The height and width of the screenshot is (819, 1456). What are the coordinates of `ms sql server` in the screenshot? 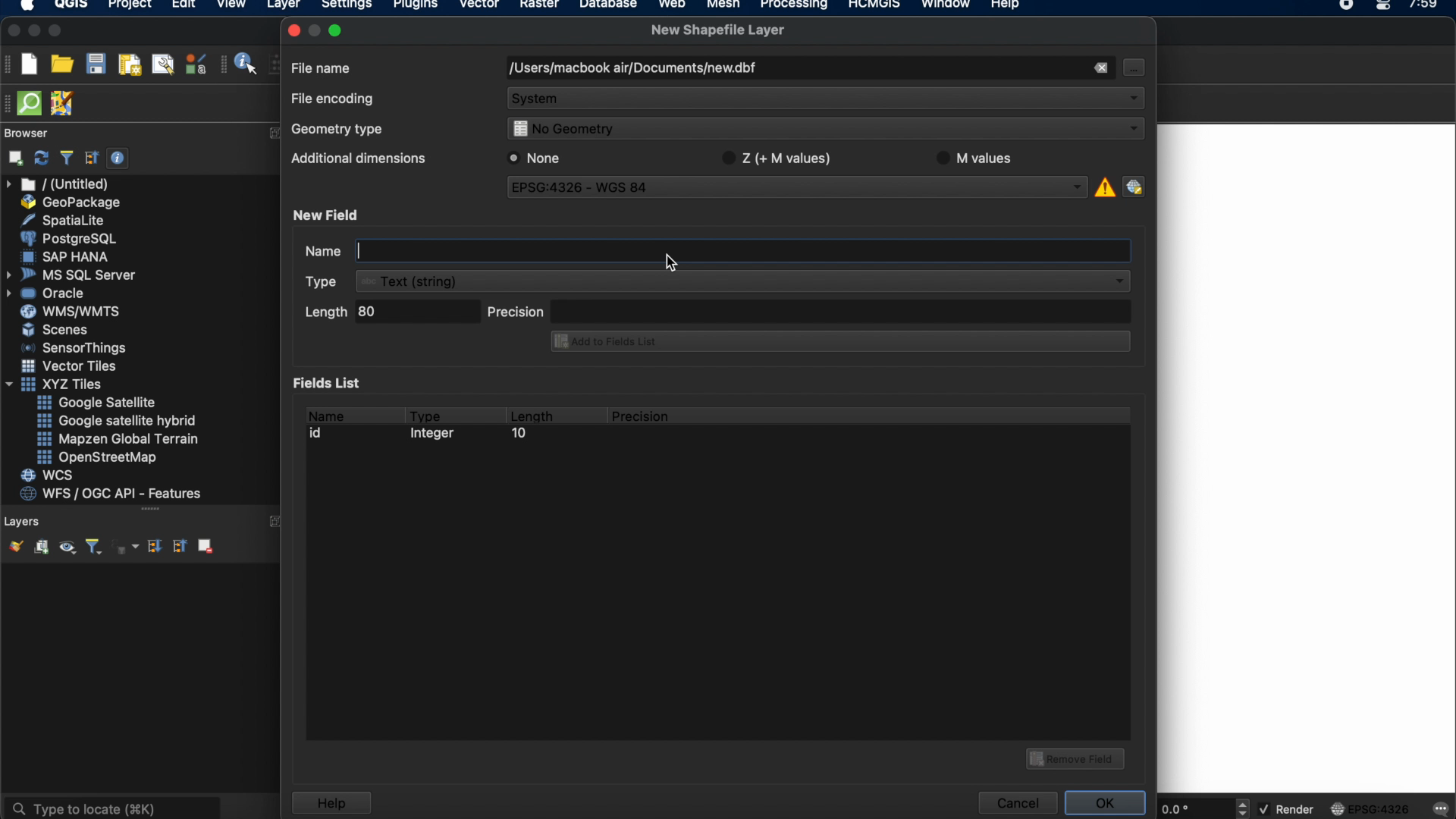 It's located at (74, 274).